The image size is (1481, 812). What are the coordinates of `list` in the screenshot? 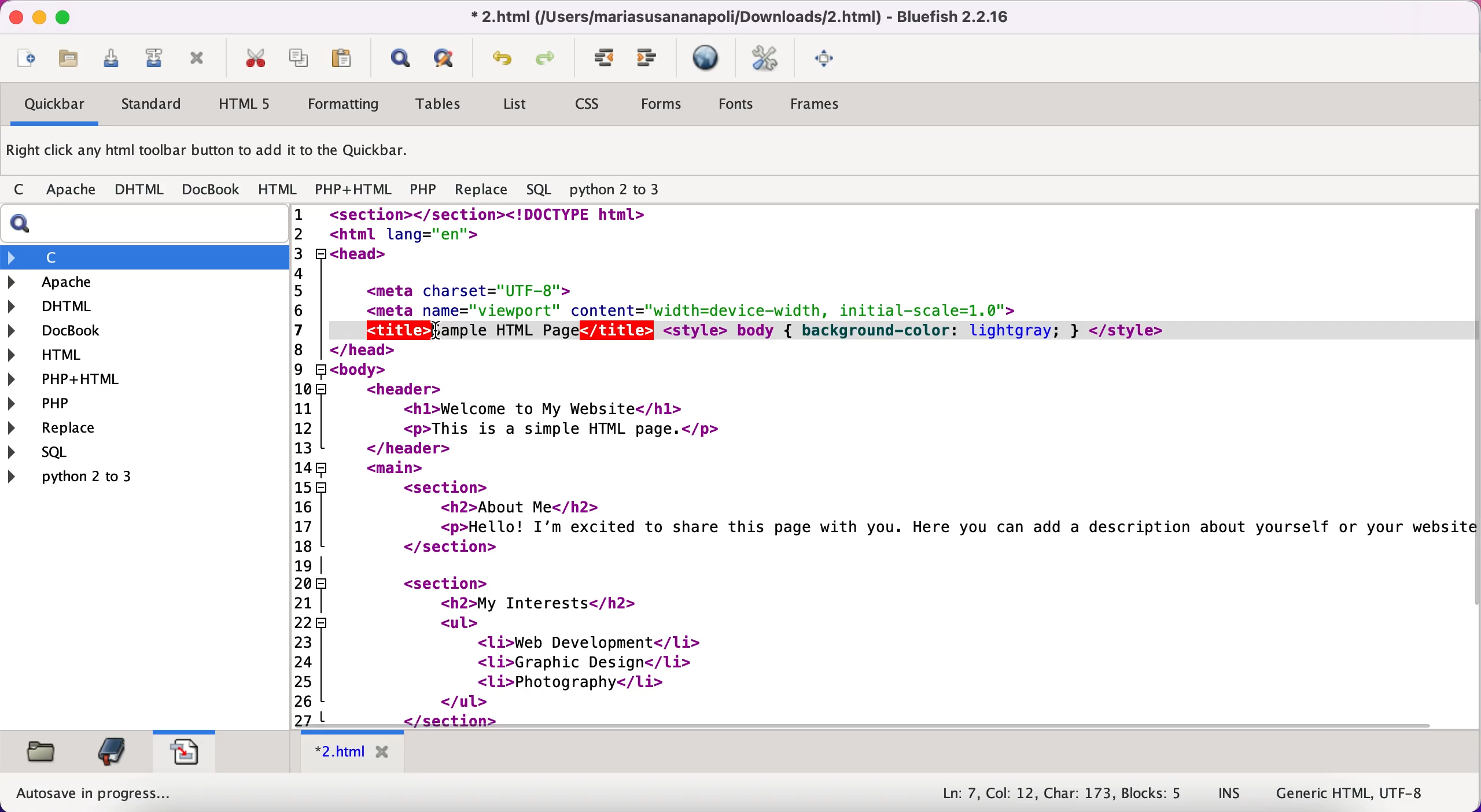 It's located at (514, 106).